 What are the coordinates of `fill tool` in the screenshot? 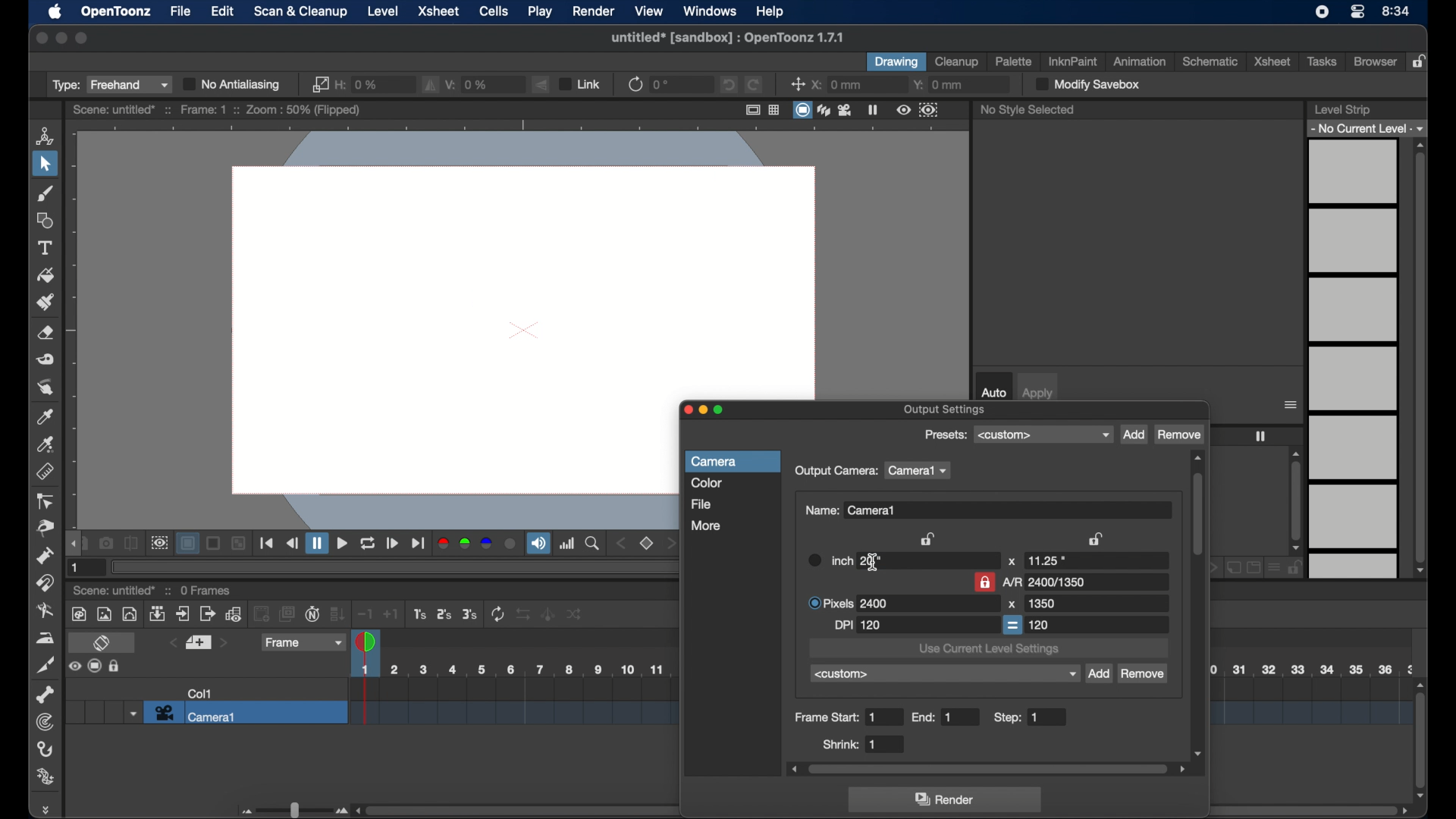 It's located at (46, 276).